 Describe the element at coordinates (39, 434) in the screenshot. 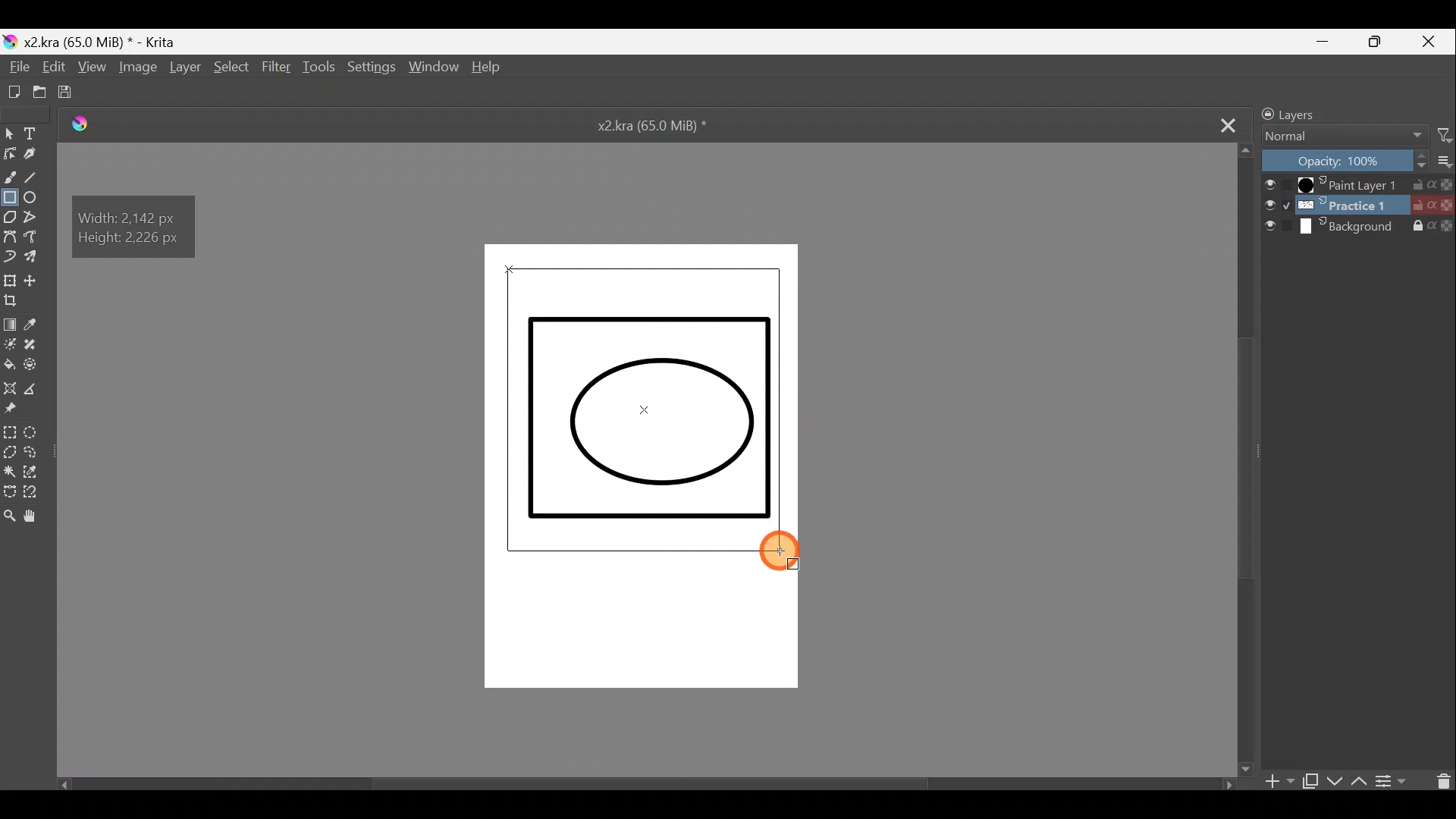

I see `Elliptical selection tool` at that location.